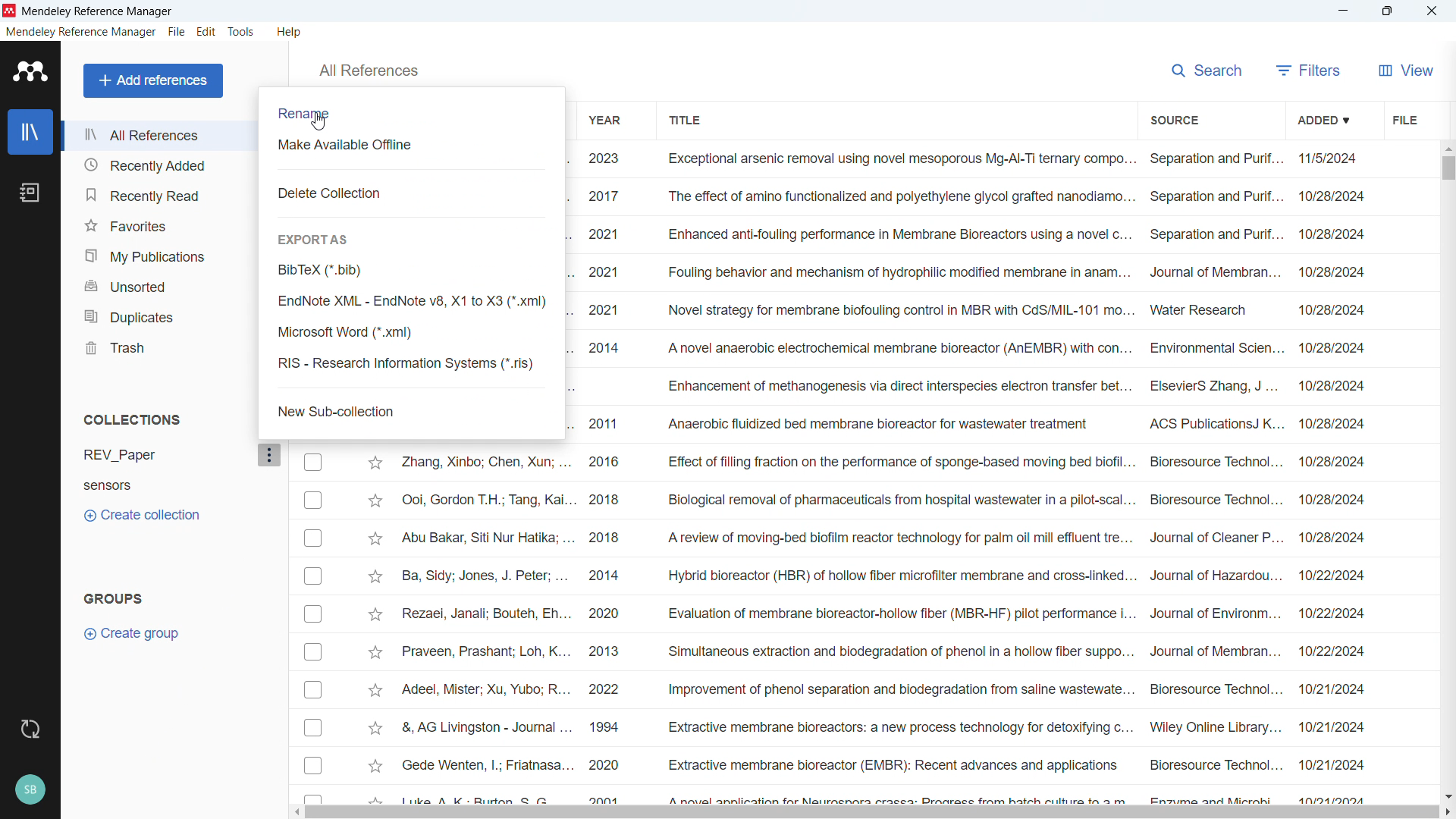  What do you see at coordinates (243, 31) in the screenshot?
I see `tools` at bounding box center [243, 31].